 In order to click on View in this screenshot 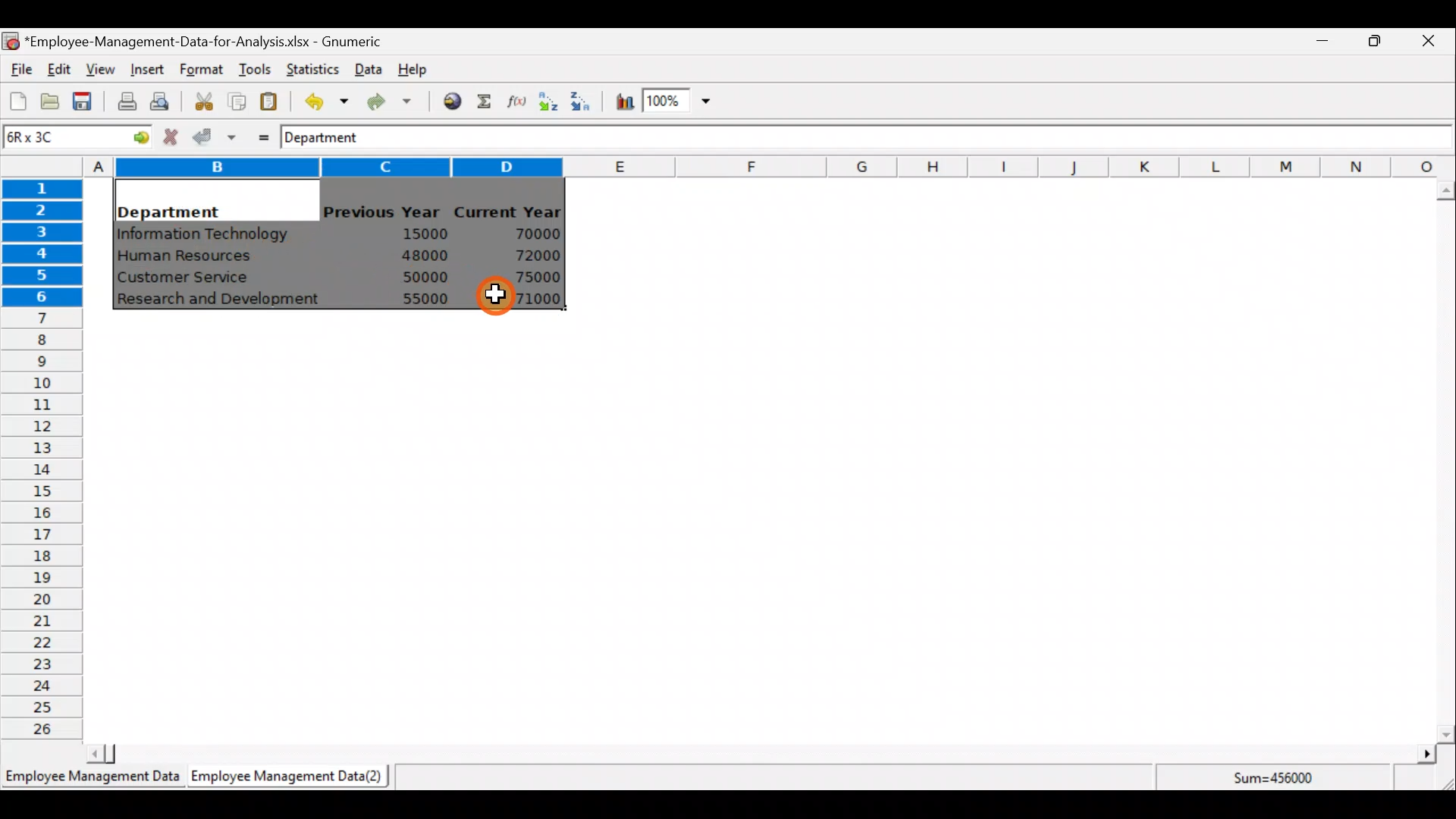, I will do `click(99, 70)`.